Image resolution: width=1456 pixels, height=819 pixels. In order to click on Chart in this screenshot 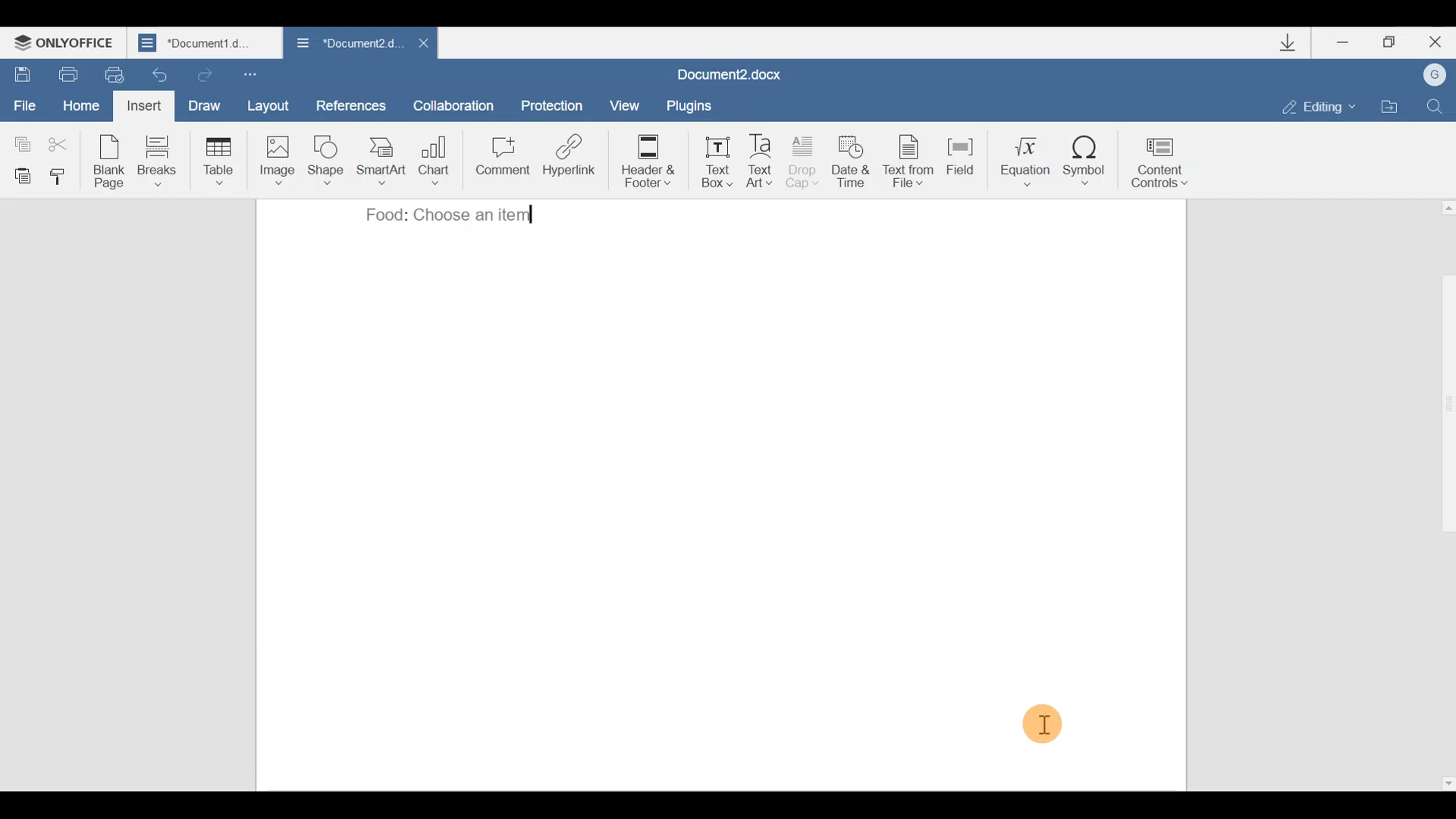, I will do `click(437, 155)`.